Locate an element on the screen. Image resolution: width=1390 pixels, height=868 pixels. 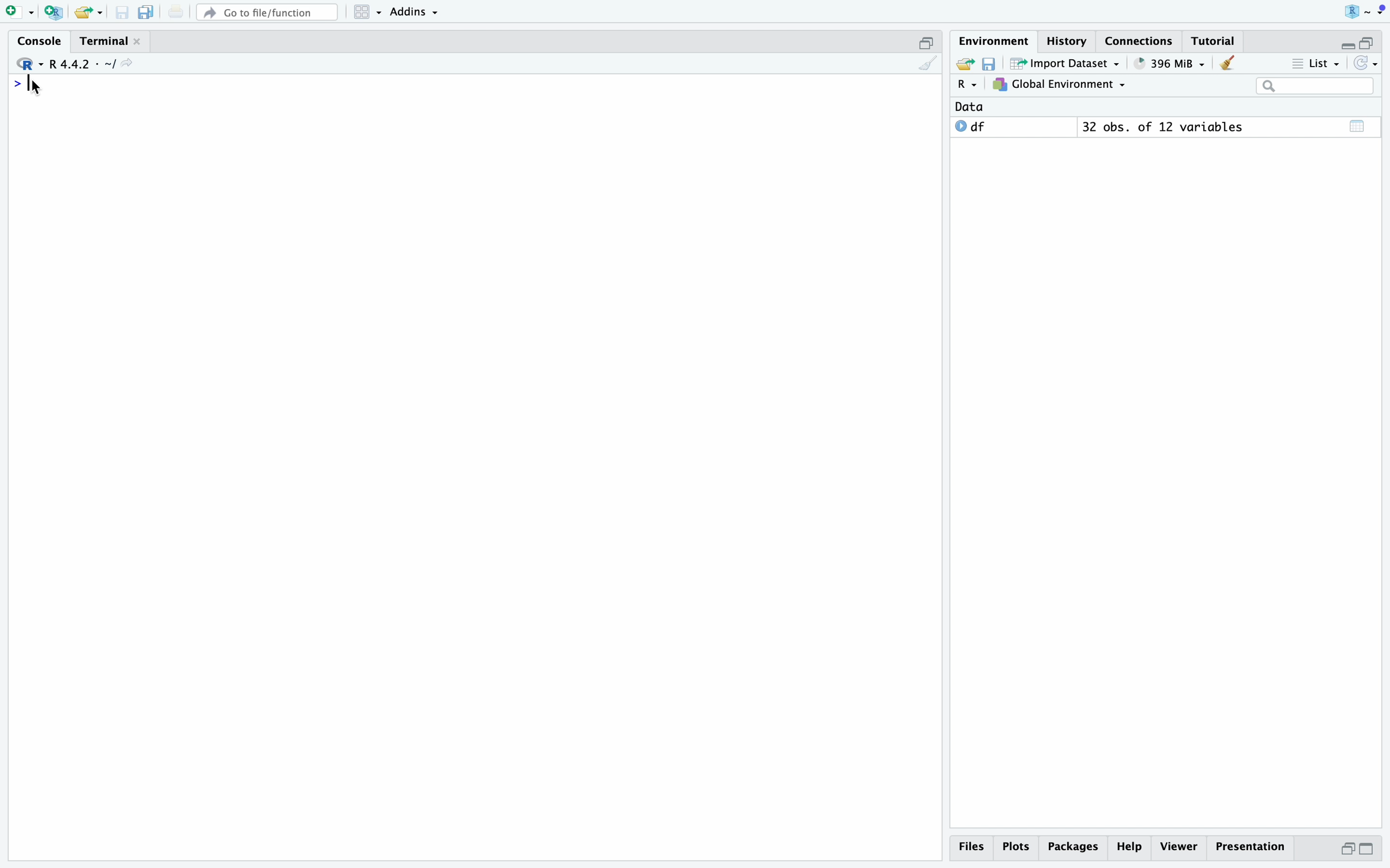
share folder as is located at coordinates (90, 13).